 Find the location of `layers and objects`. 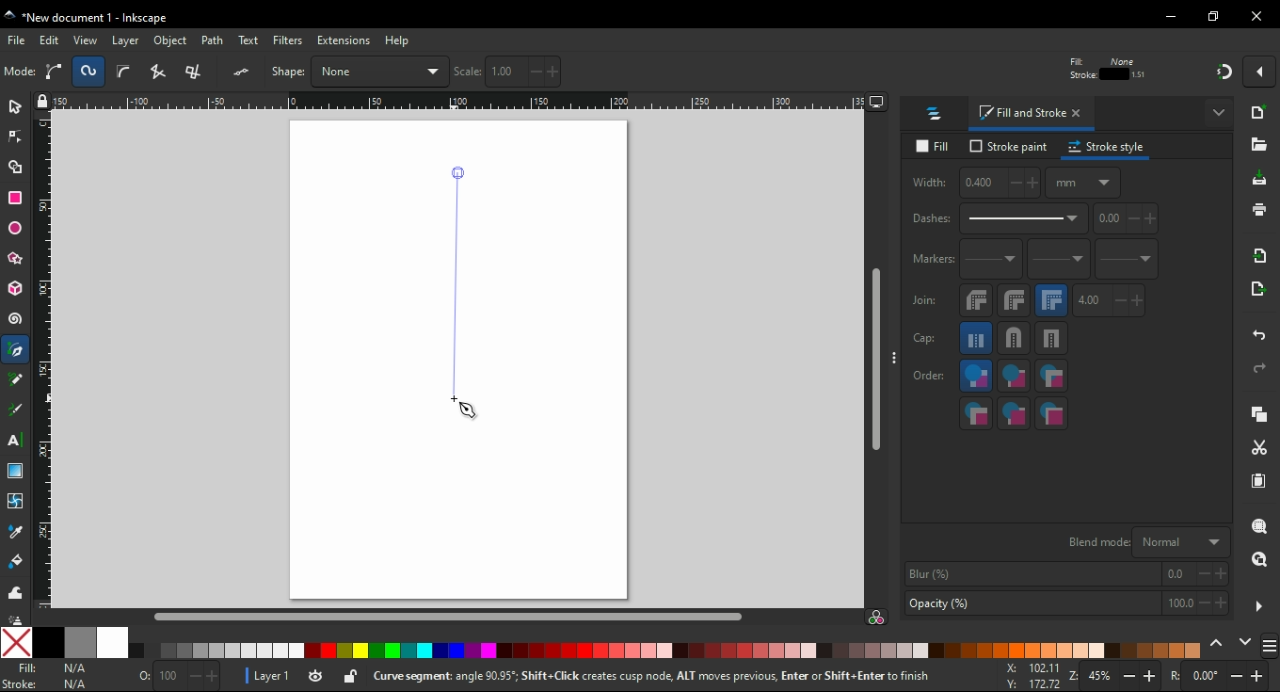

layers and objects is located at coordinates (935, 113).